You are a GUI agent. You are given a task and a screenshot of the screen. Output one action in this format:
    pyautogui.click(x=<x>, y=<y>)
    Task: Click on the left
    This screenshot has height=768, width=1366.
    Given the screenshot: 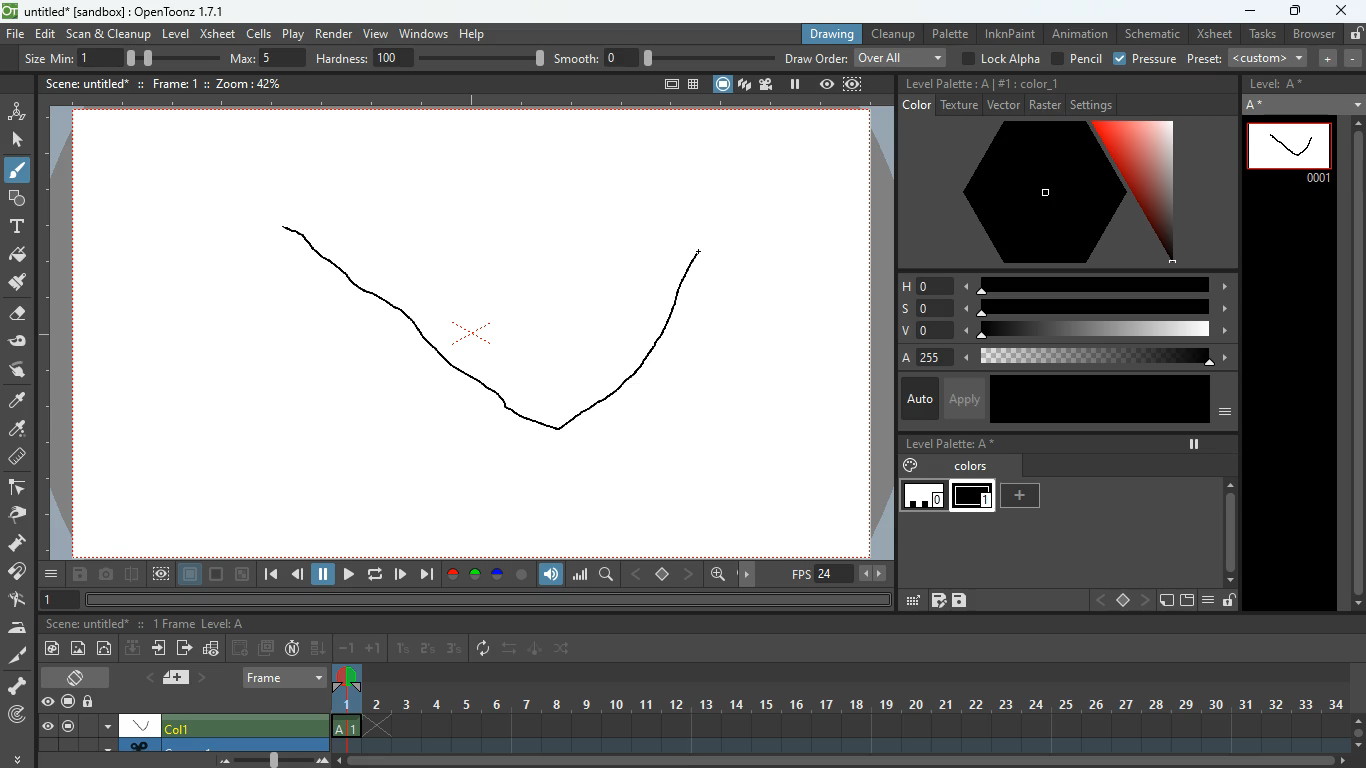 What is the action you would take?
    pyautogui.click(x=634, y=574)
    